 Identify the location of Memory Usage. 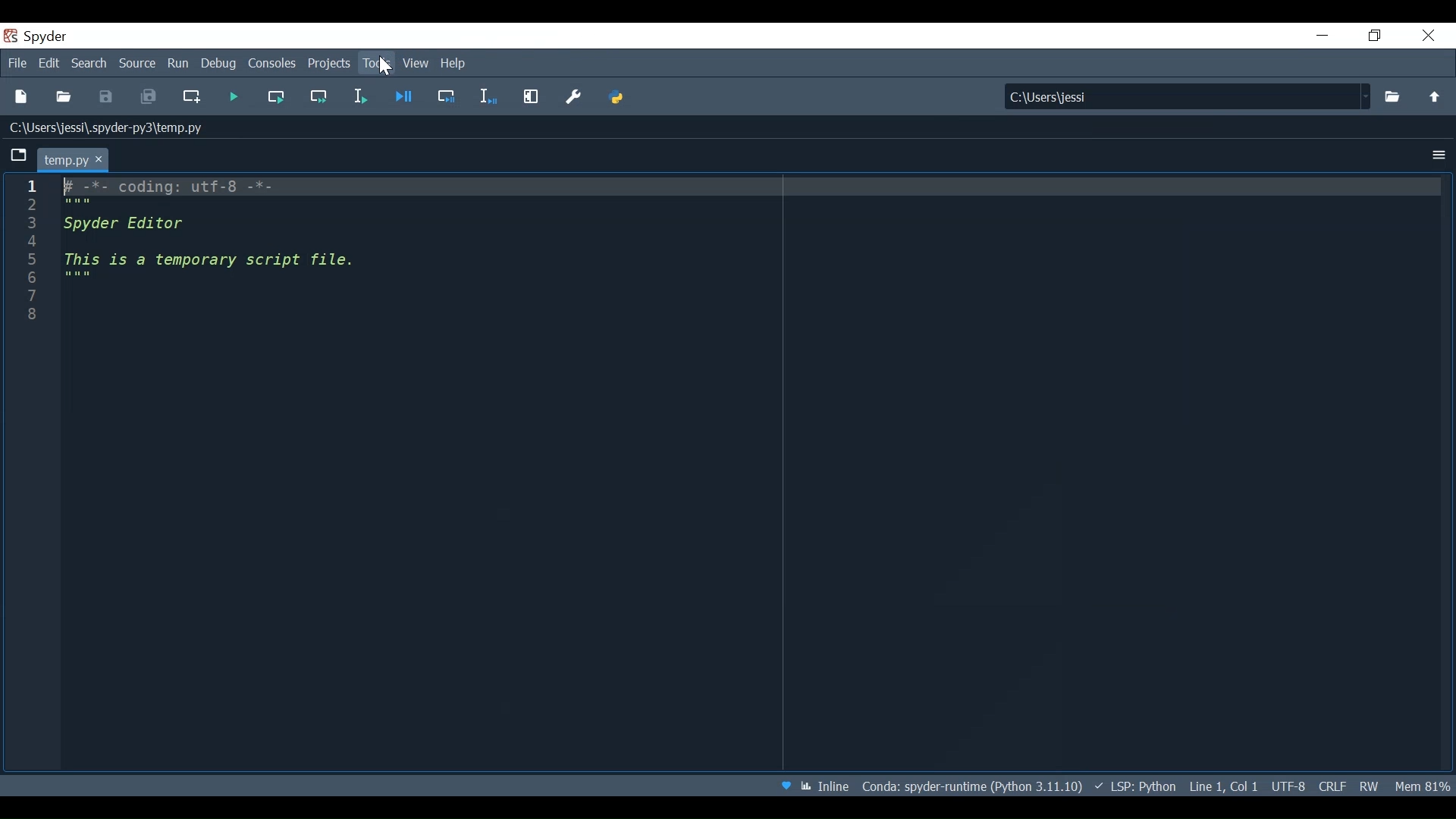
(1419, 786).